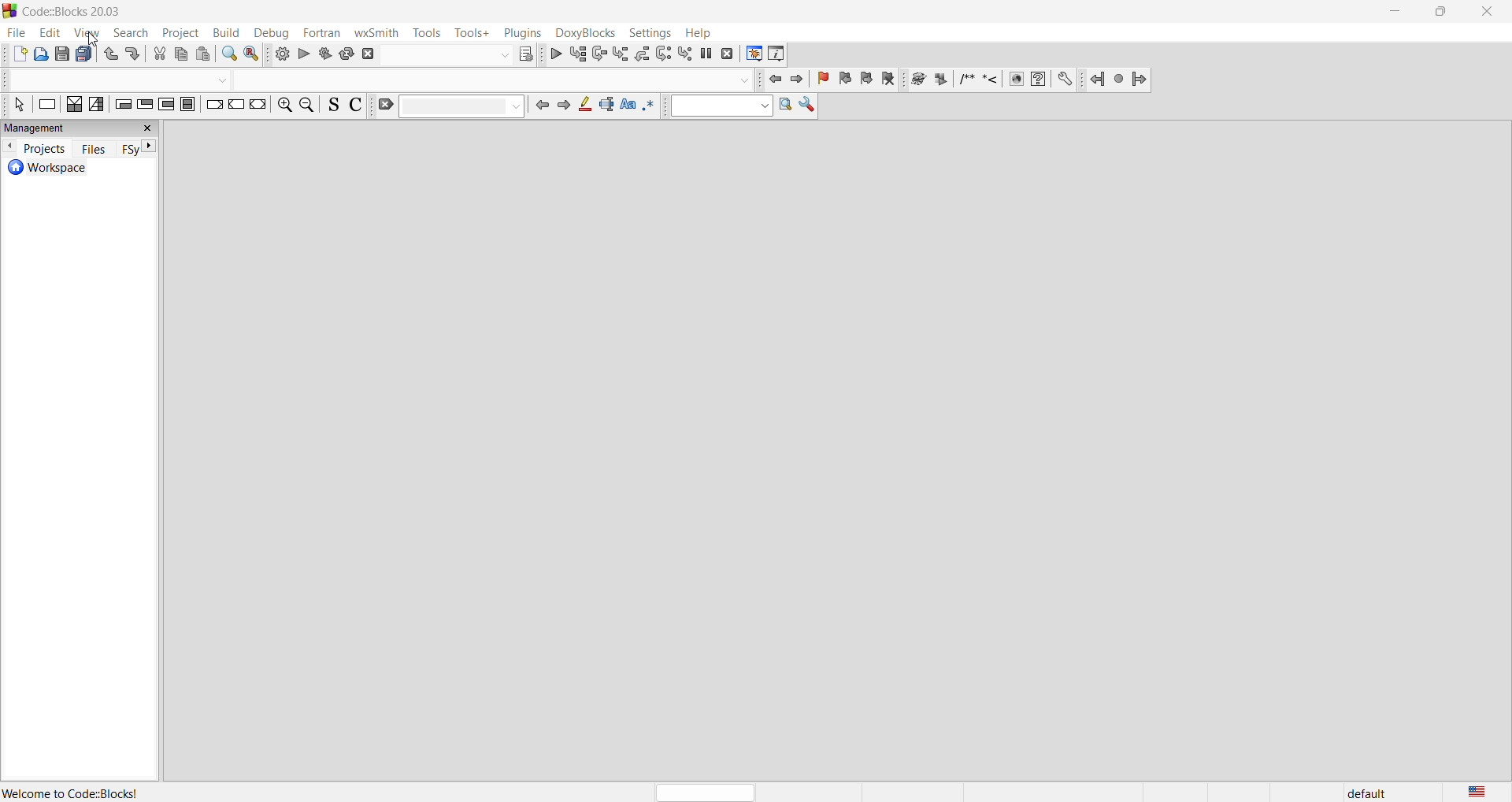  I want to click on counting loop, so click(169, 105).